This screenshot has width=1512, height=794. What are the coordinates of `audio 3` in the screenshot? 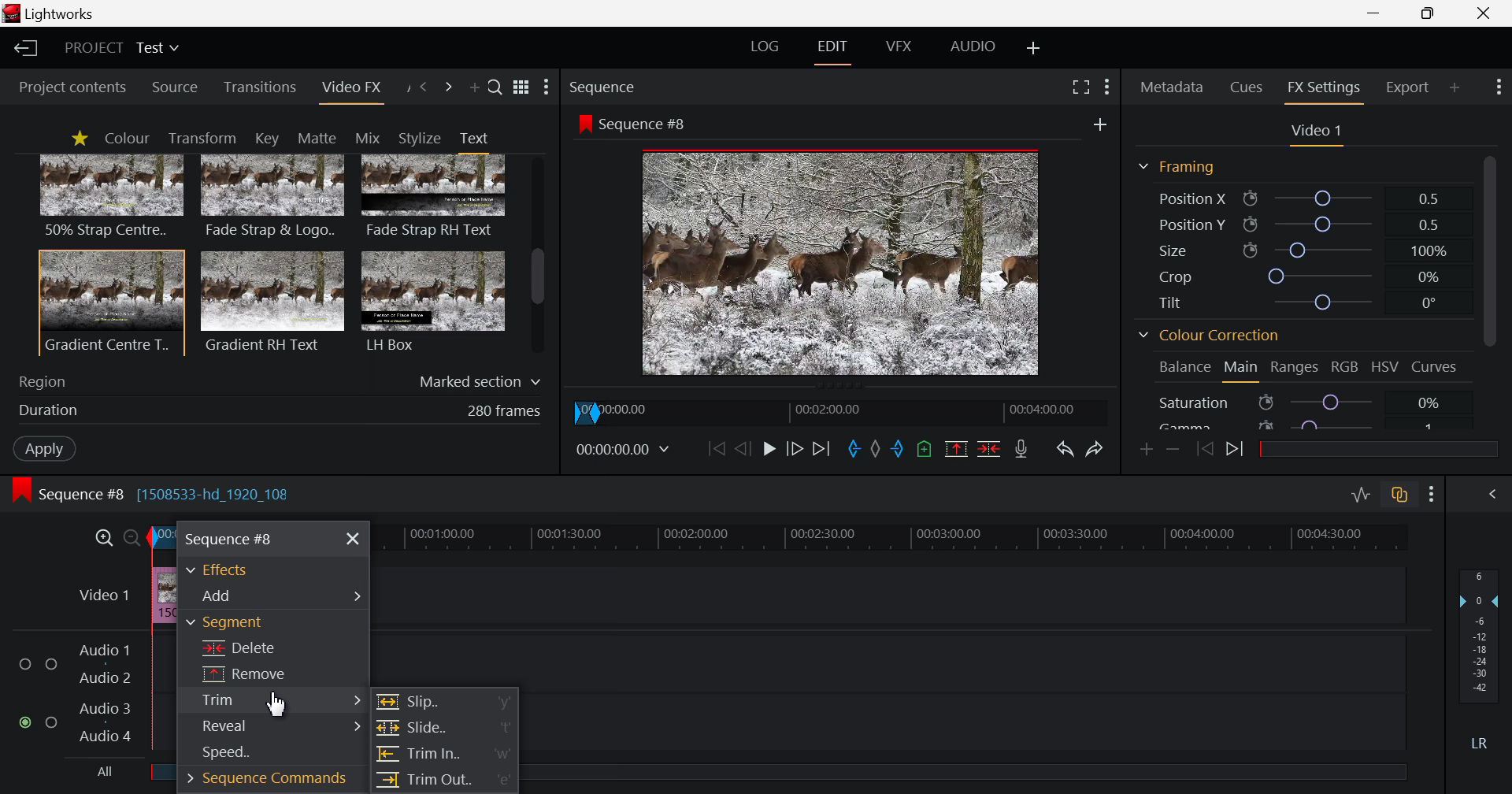 It's located at (100, 707).